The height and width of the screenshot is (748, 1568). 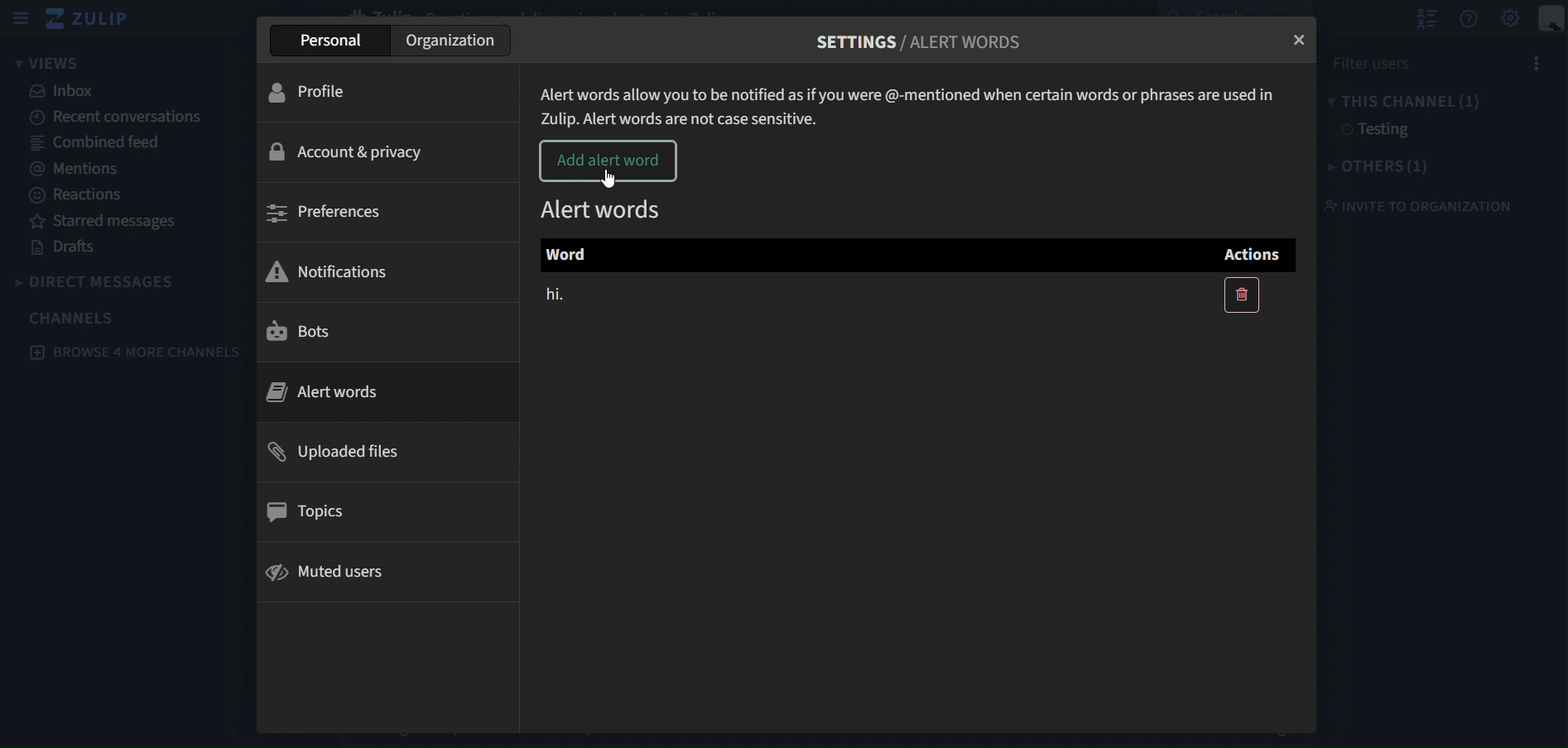 What do you see at coordinates (75, 318) in the screenshot?
I see `channels` at bounding box center [75, 318].